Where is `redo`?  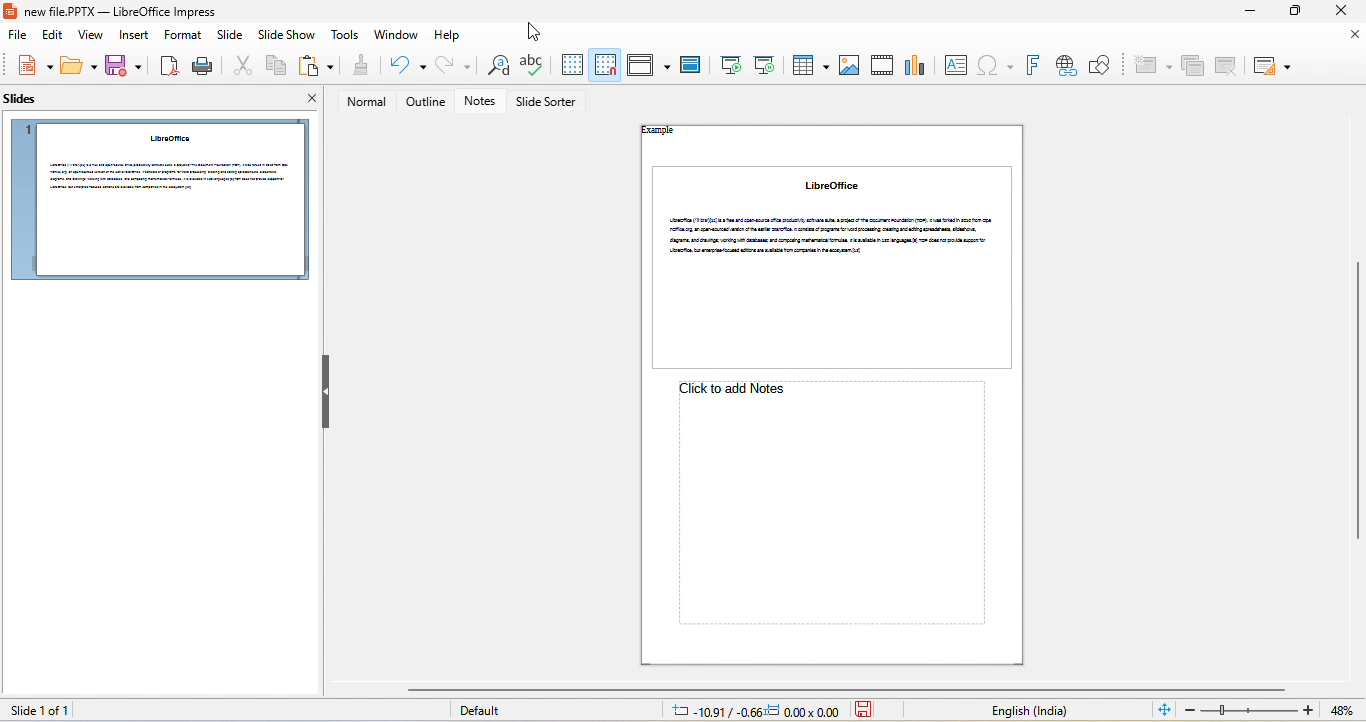
redo is located at coordinates (454, 65).